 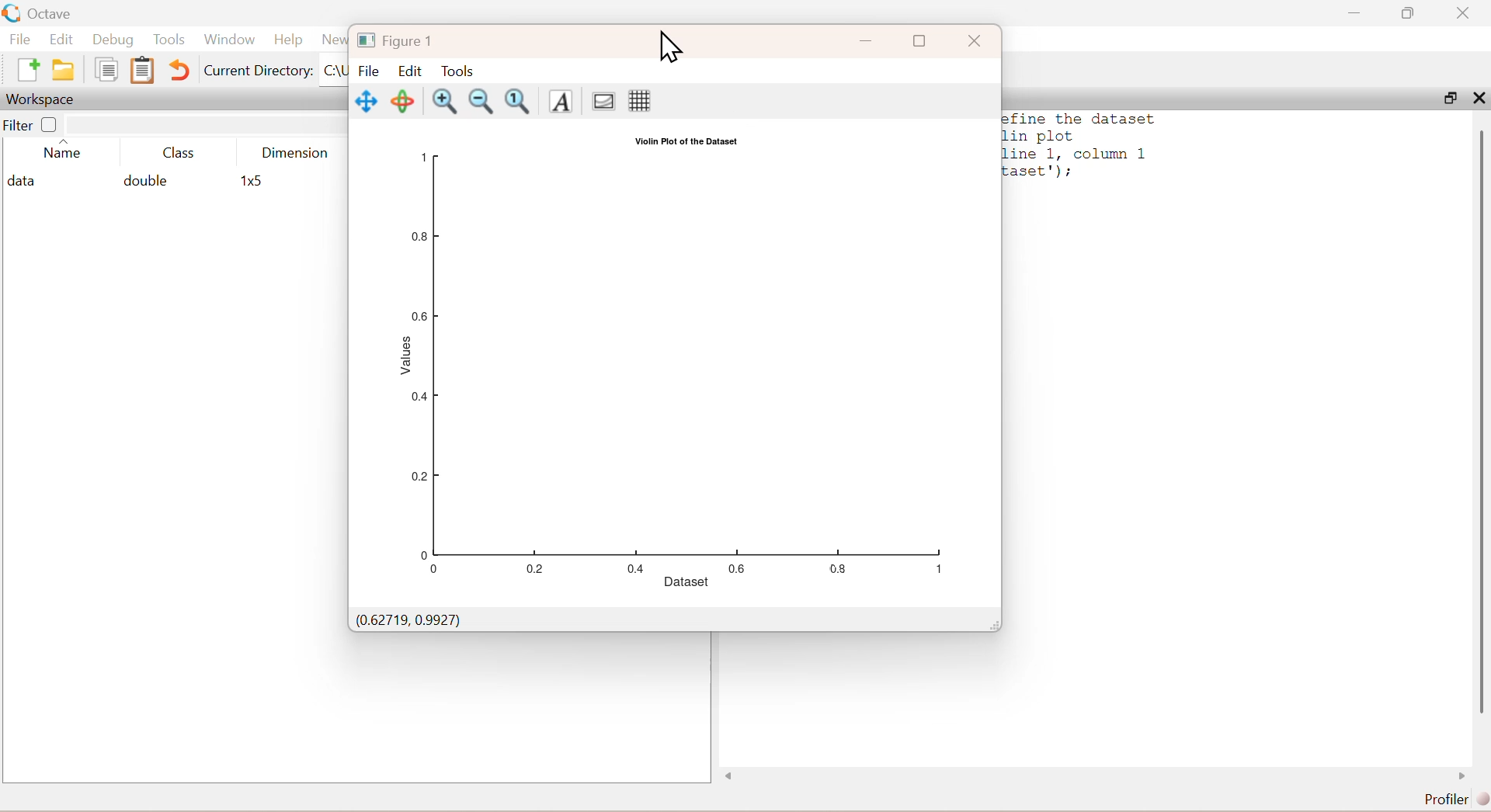 What do you see at coordinates (53, 15) in the screenshot?
I see `octave` at bounding box center [53, 15].